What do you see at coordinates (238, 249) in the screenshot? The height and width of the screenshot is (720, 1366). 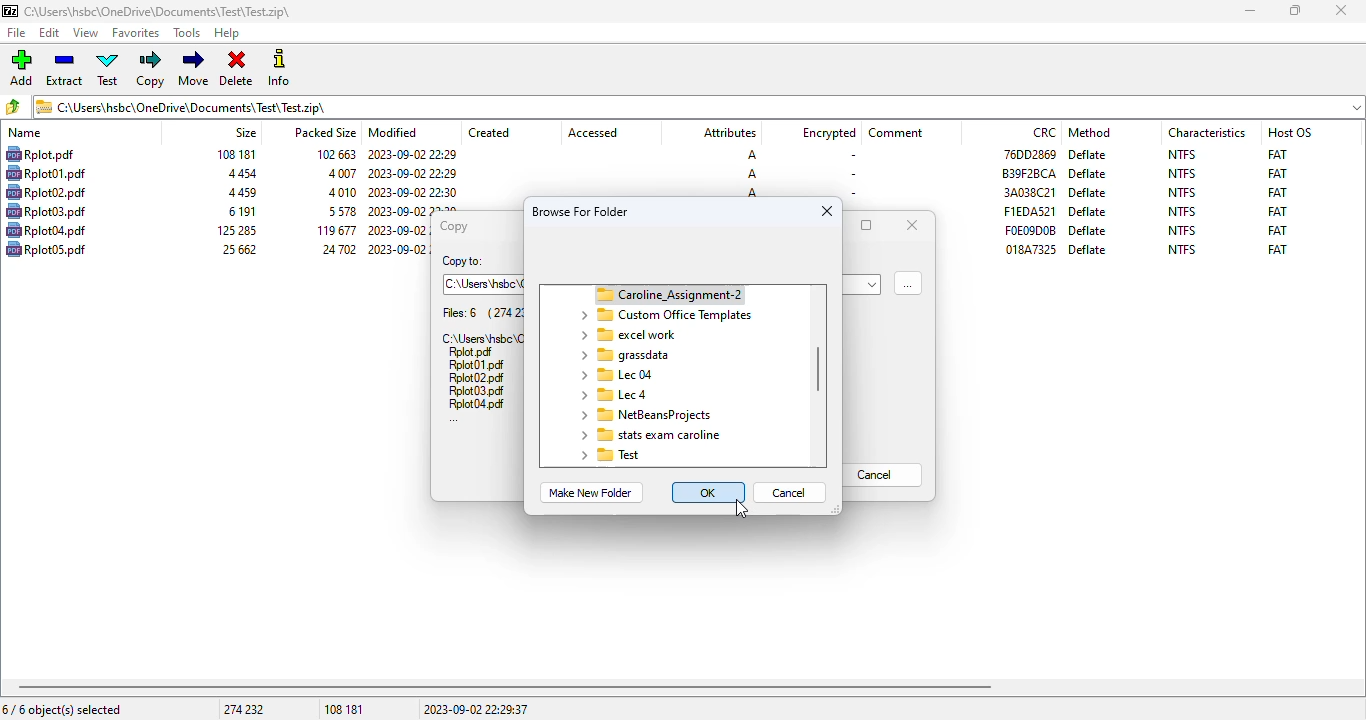 I see `size` at bounding box center [238, 249].